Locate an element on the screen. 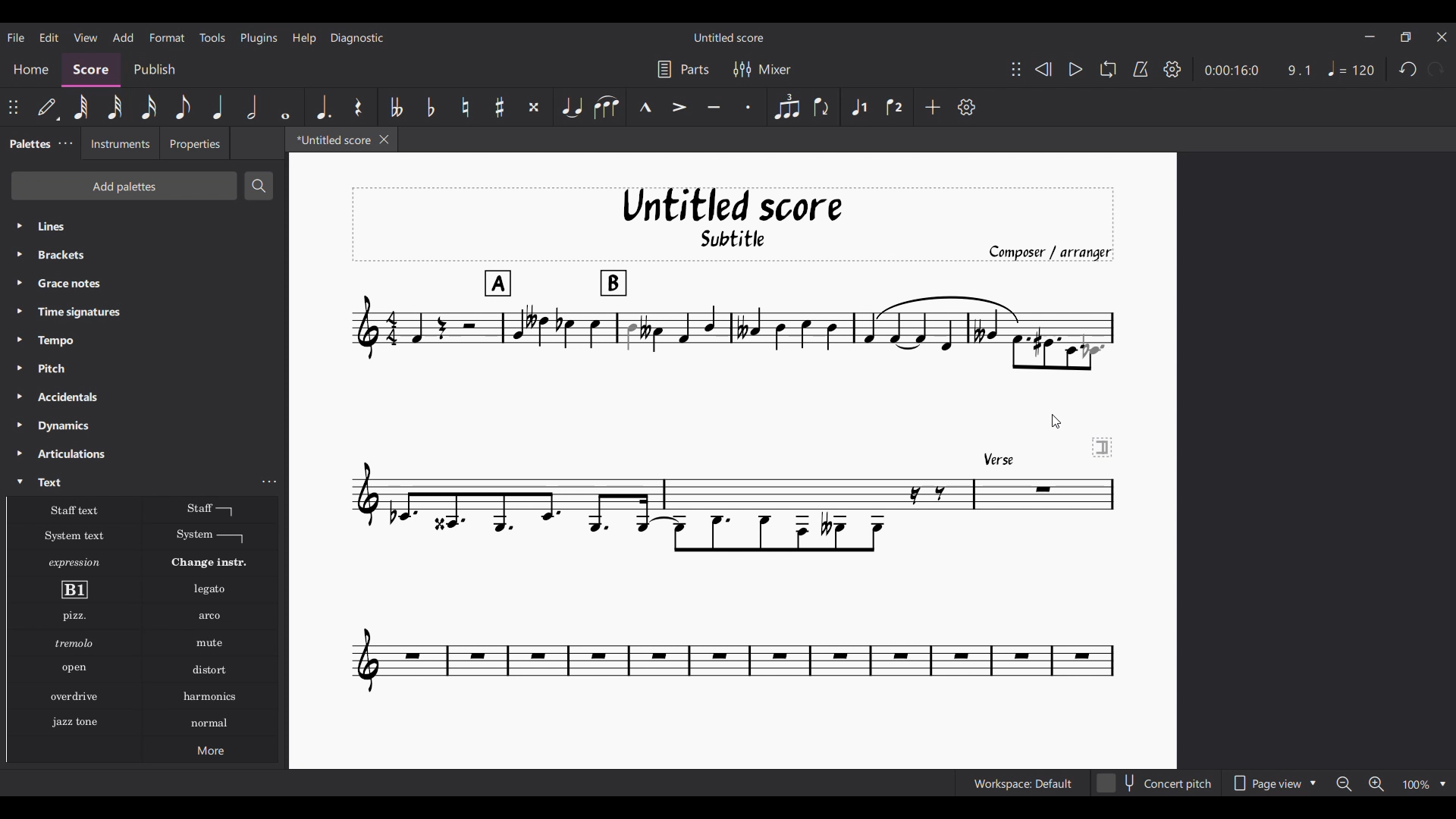  Text called verse added to created section in score is located at coordinates (732, 441).